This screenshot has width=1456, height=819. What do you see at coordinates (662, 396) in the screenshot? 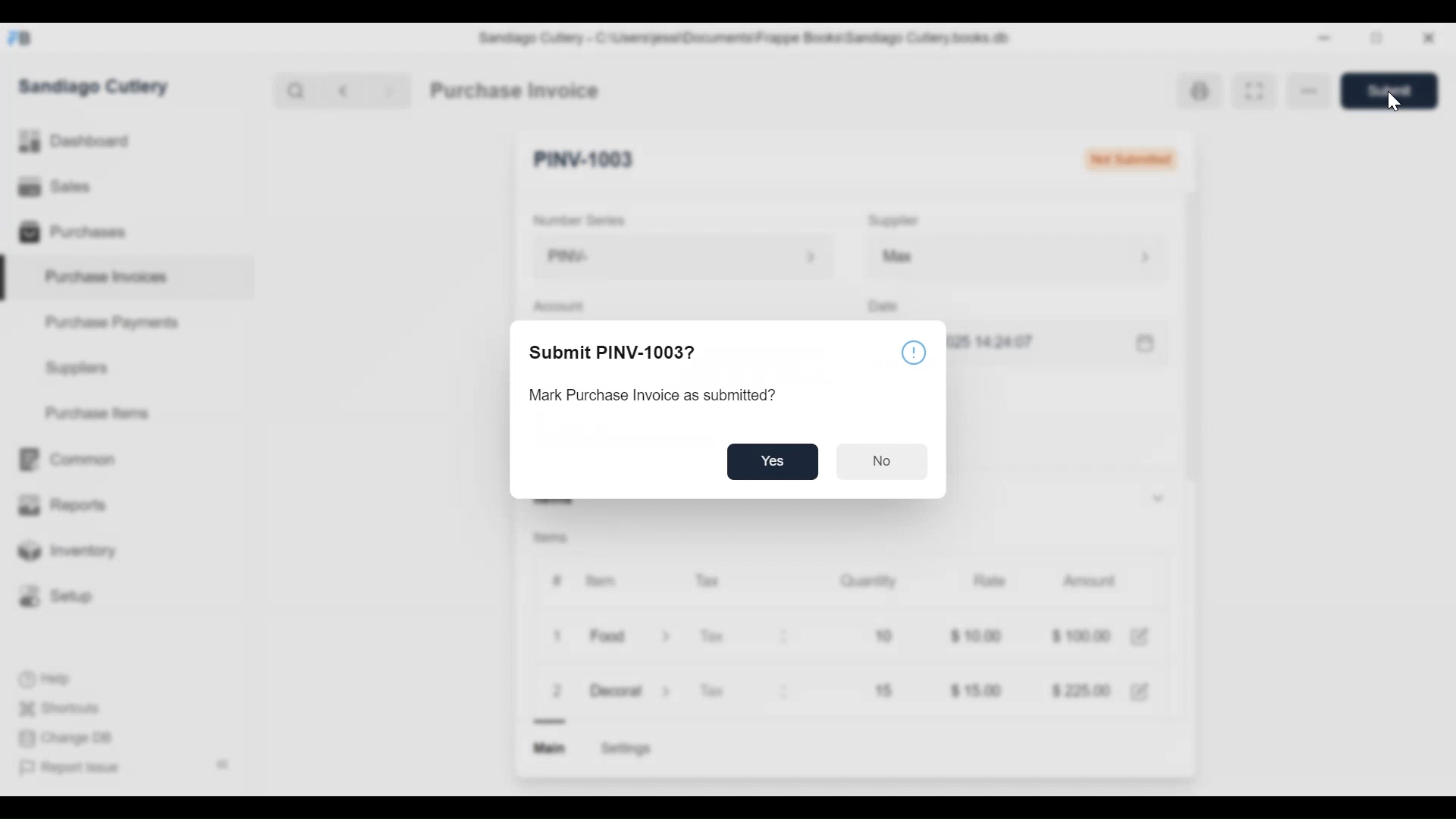
I see `Mark Purchase Invoice as submitted?` at bounding box center [662, 396].